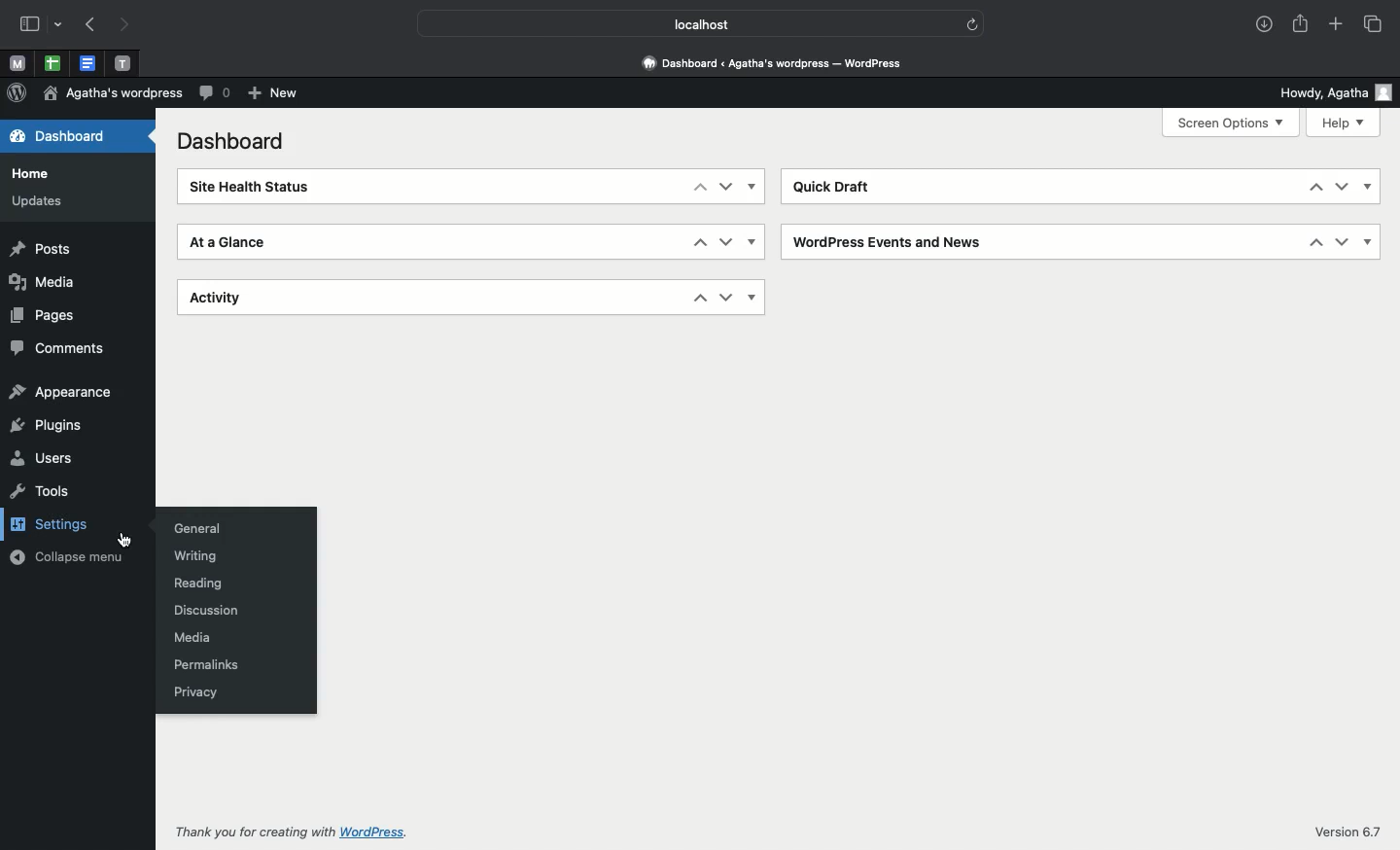  I want to click on Thank you for creating with Wordpress, so click(295, 832).